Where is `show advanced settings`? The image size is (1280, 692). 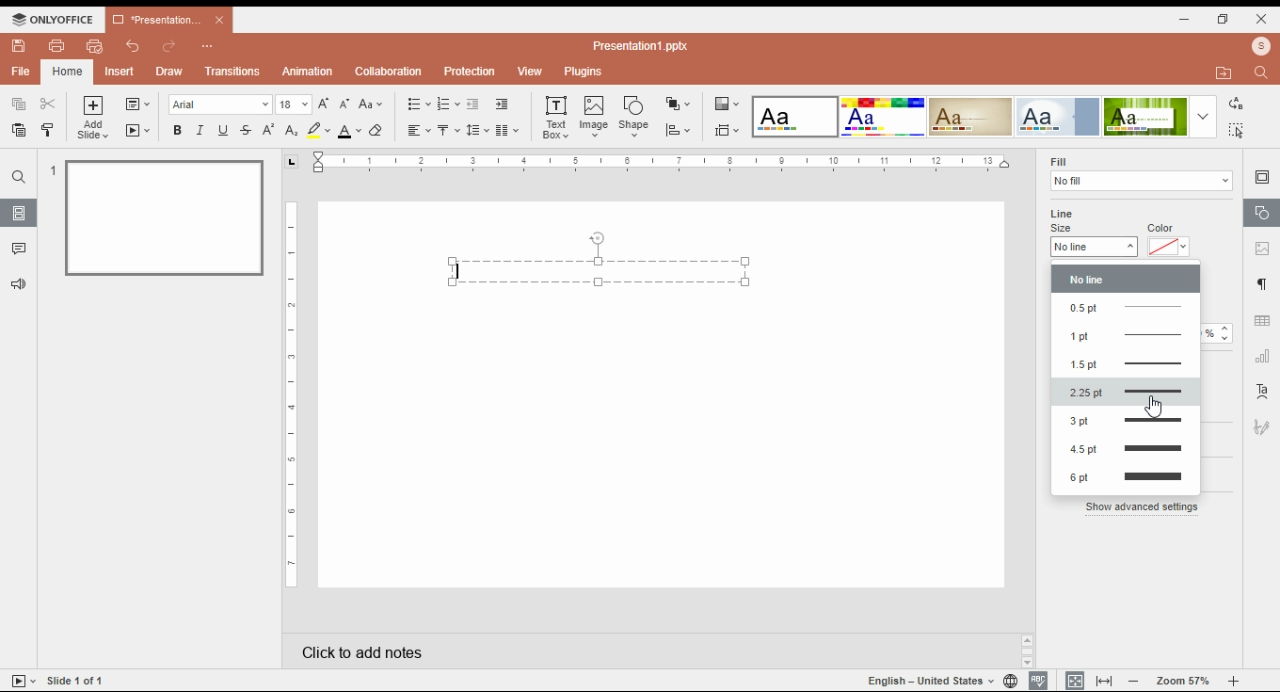 show advanced settings is located at coordinates (1142, 507).